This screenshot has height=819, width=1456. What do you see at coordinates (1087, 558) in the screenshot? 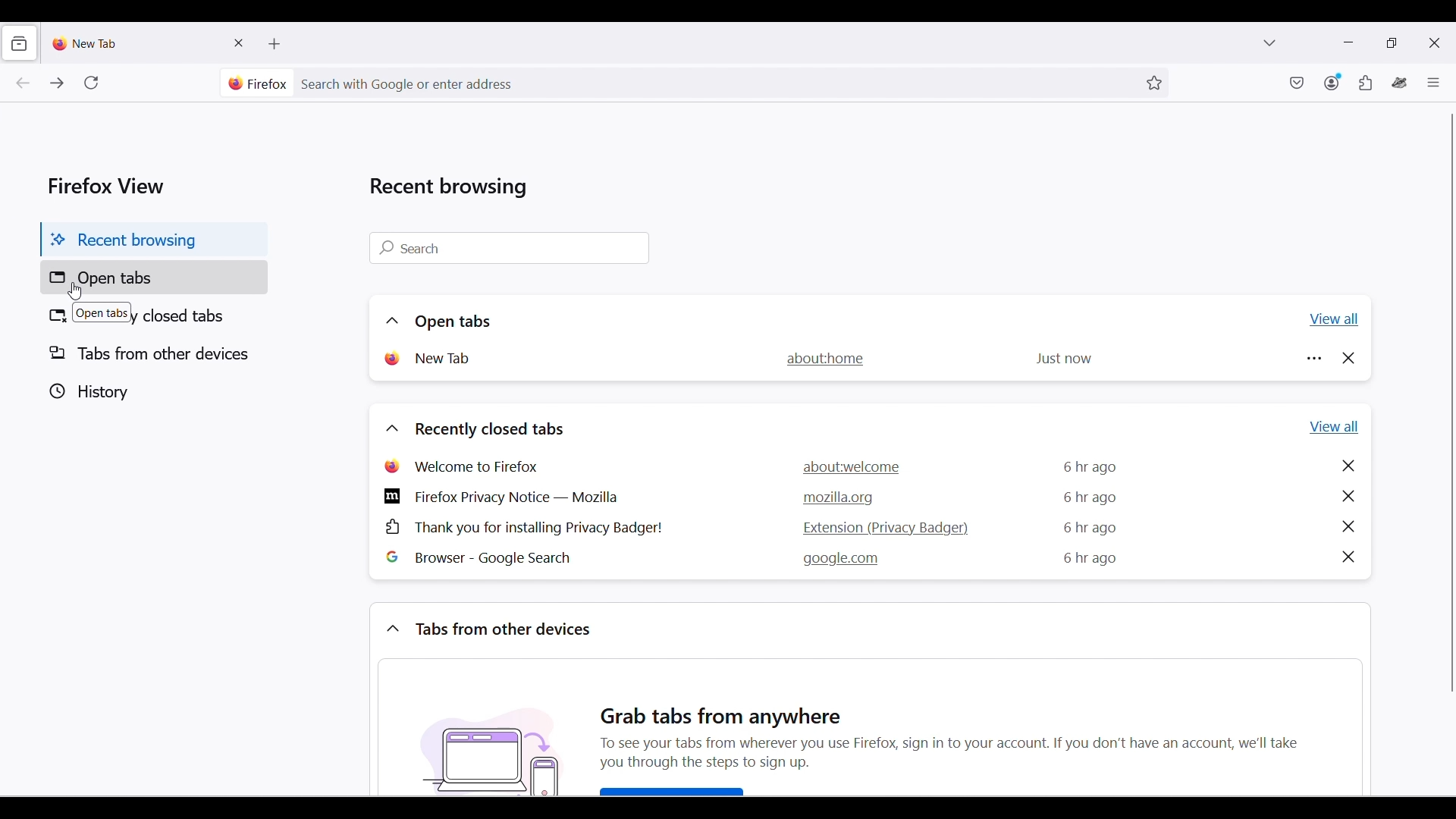
I see `6 hr ago` at bounding box center [1087, 558].